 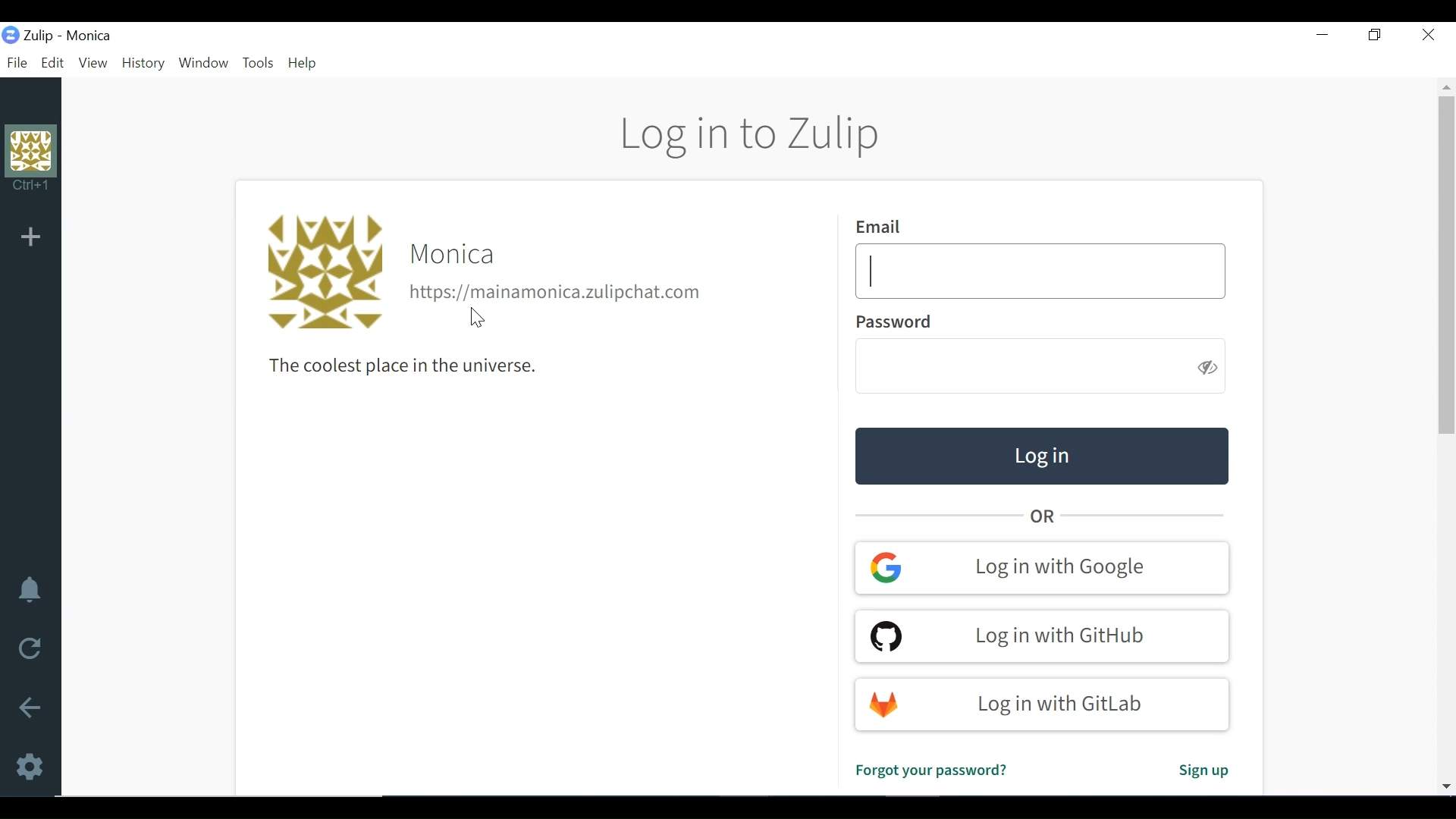 What do you see at coordinates (1043, 567) in the screenshot?
I see `Log in with google` at bounding box center [1043, 567].